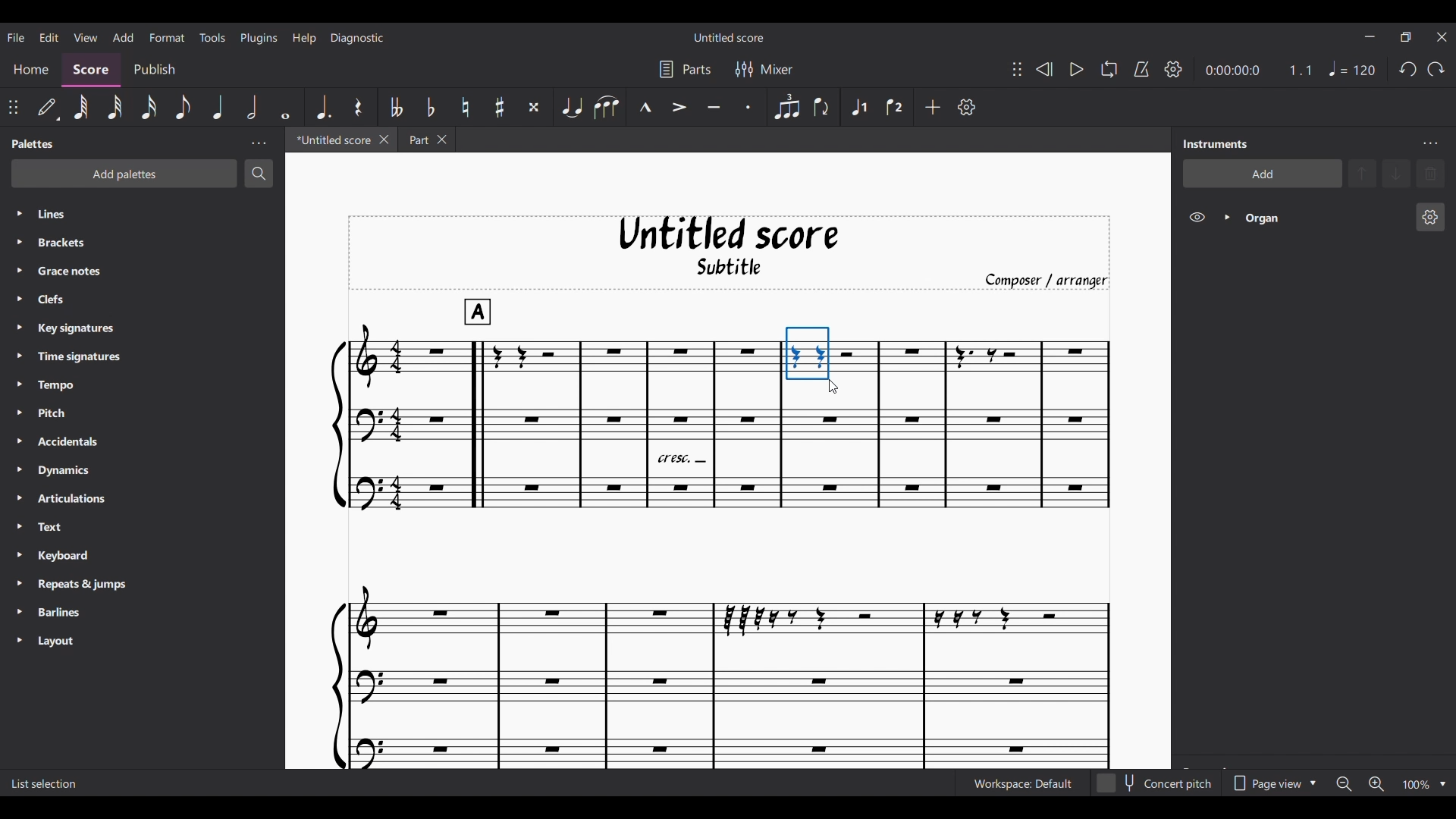 Image resolution: width=1456 pixels, height=819 pixels. I want to click on Search, so click(259, 173).